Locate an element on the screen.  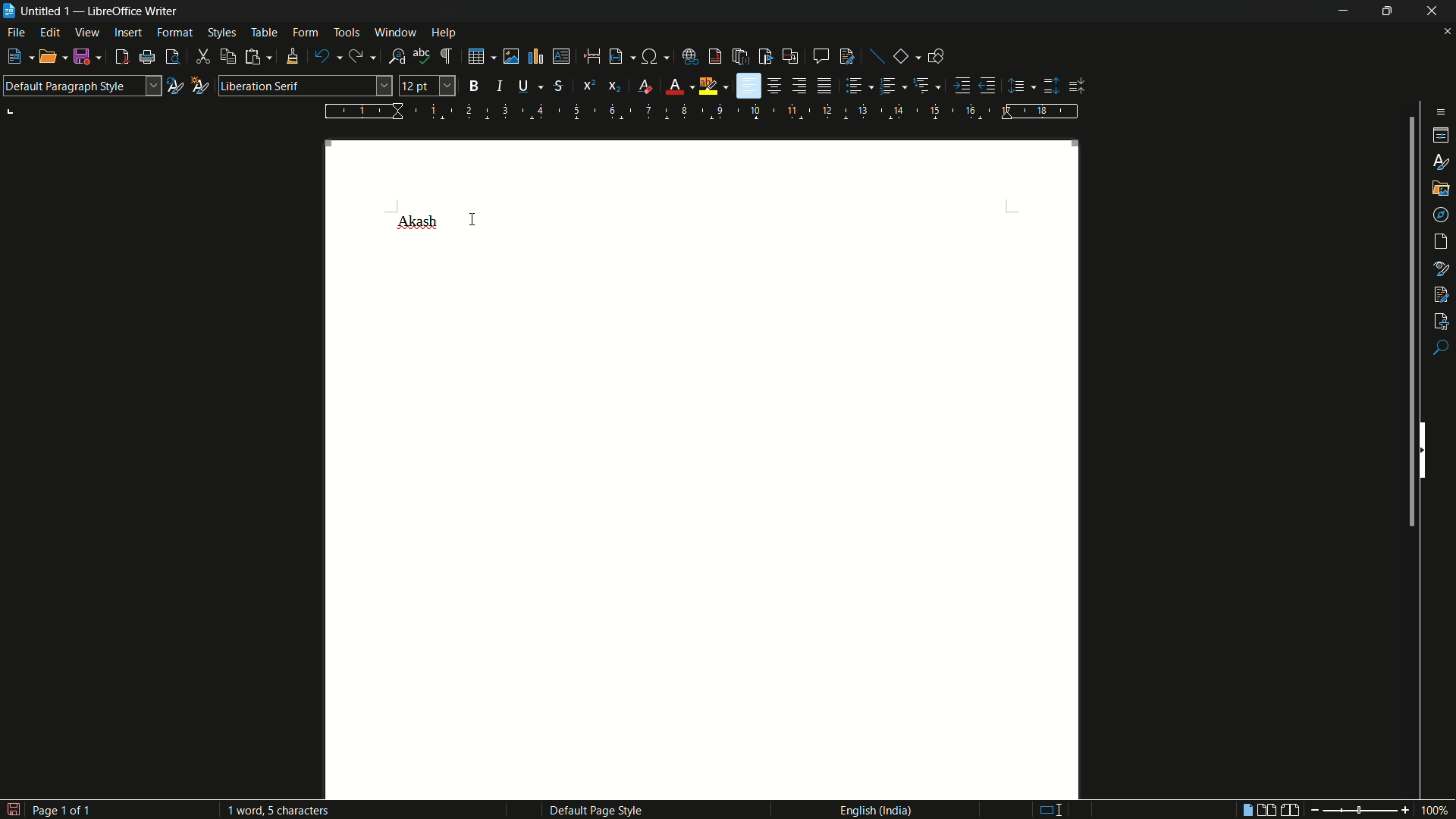
insert image is located at coordinates (507, 57).